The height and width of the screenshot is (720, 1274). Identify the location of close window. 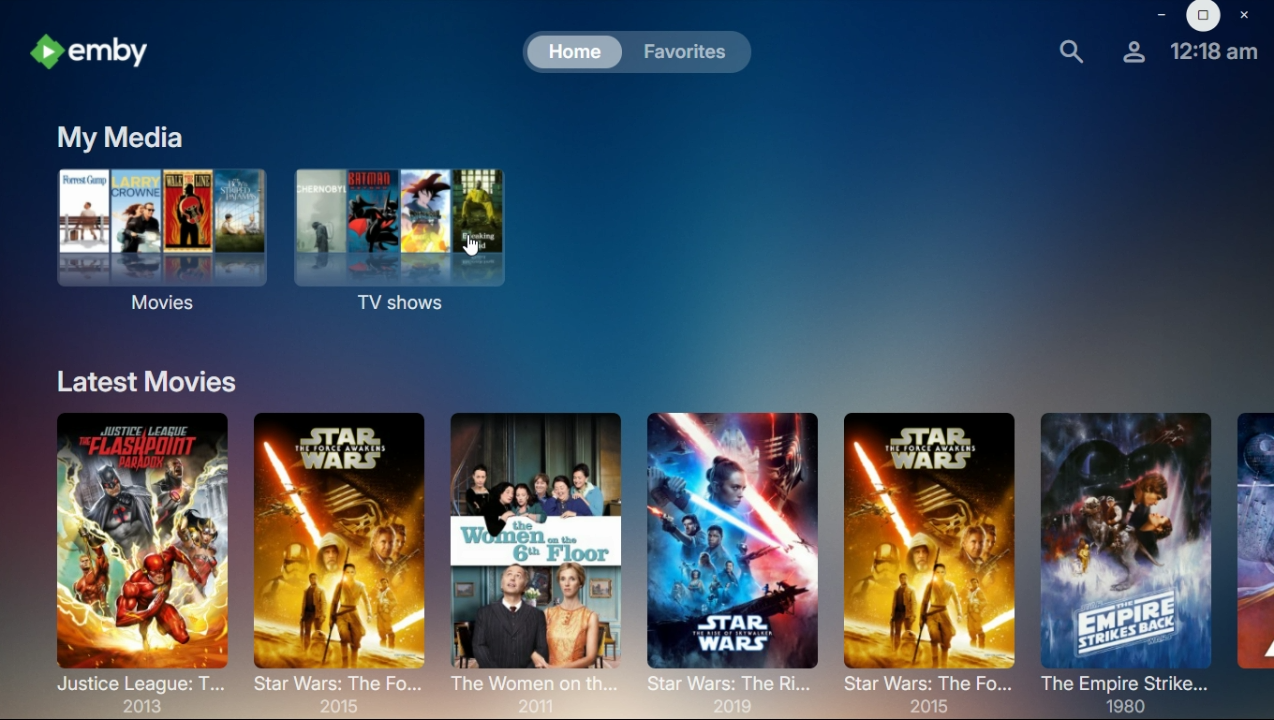
(1245, 16).